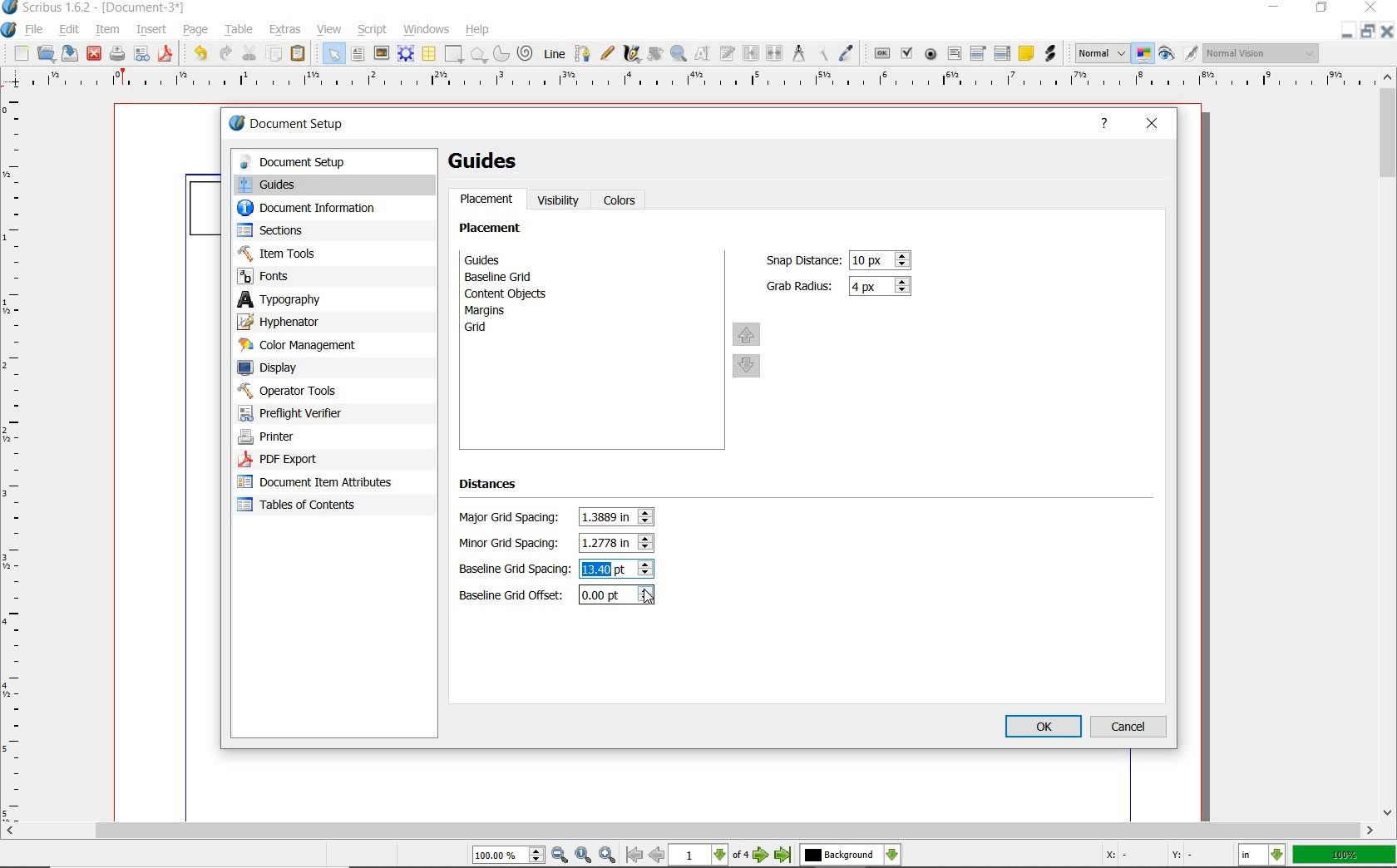 This screenshot has width=1397, height=868. Describe the element at coordinates (851, 856) in the screenshot. I see `select the current layer` at that location.